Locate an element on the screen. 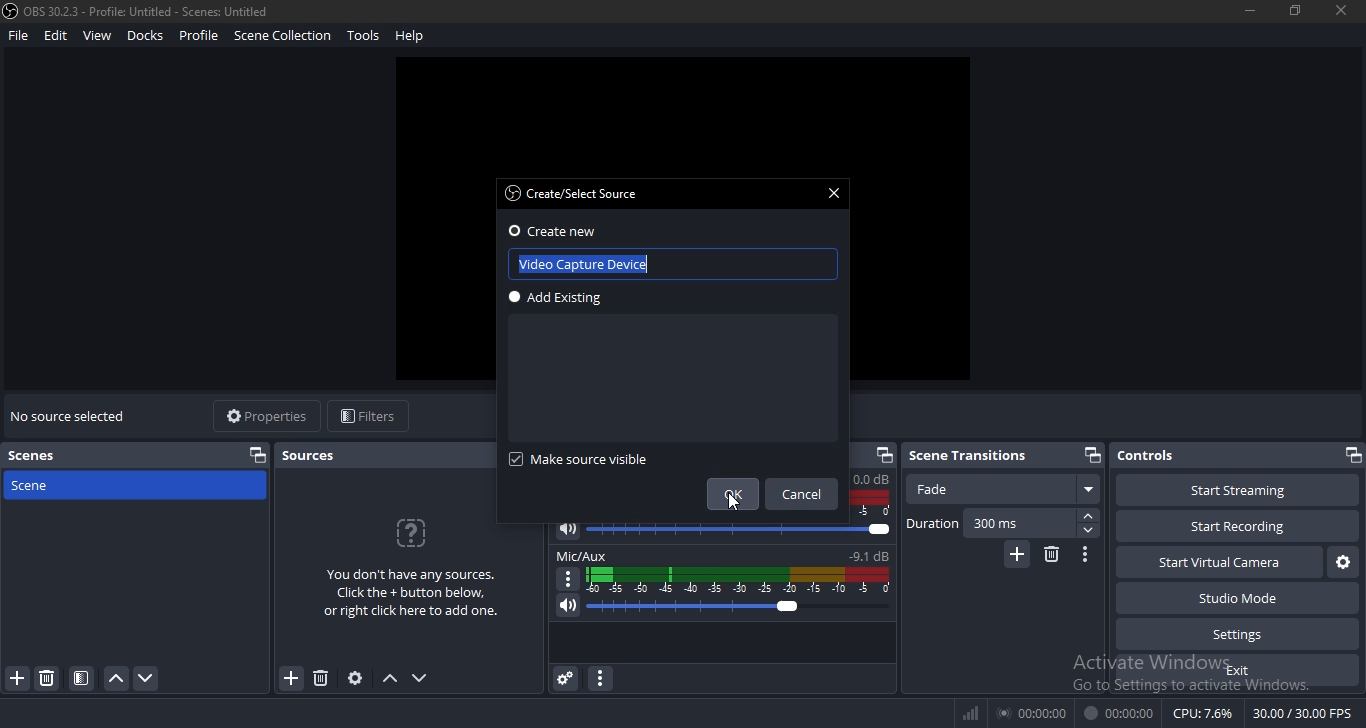 This screenshot has height=728, width=1366. video capture device is located at coordinates (622, 263).